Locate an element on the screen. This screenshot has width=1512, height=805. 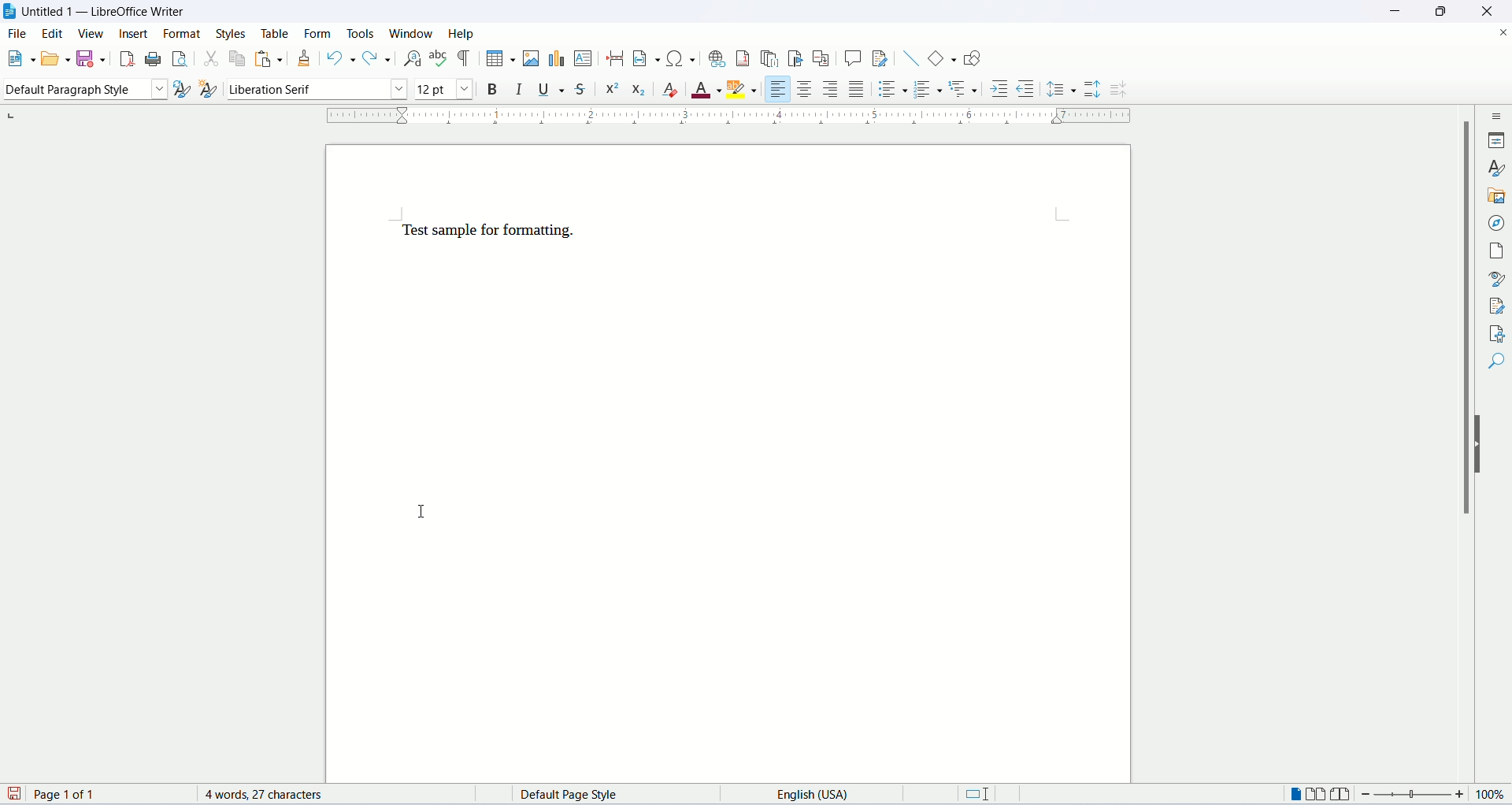
page is located at coordinates (730, 463).